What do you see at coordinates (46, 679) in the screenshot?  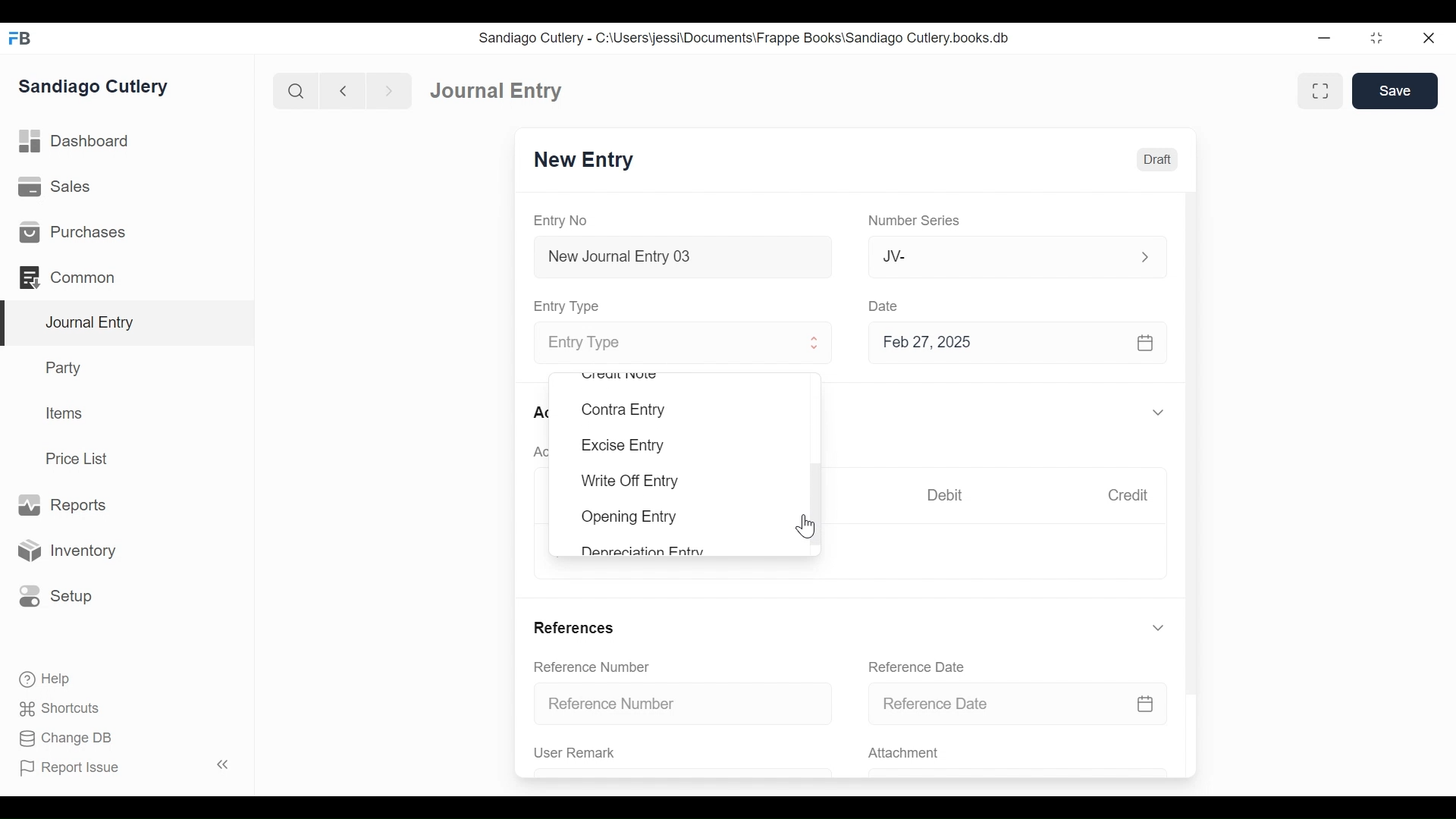 I see `Help` at bounding box center [46, 679].